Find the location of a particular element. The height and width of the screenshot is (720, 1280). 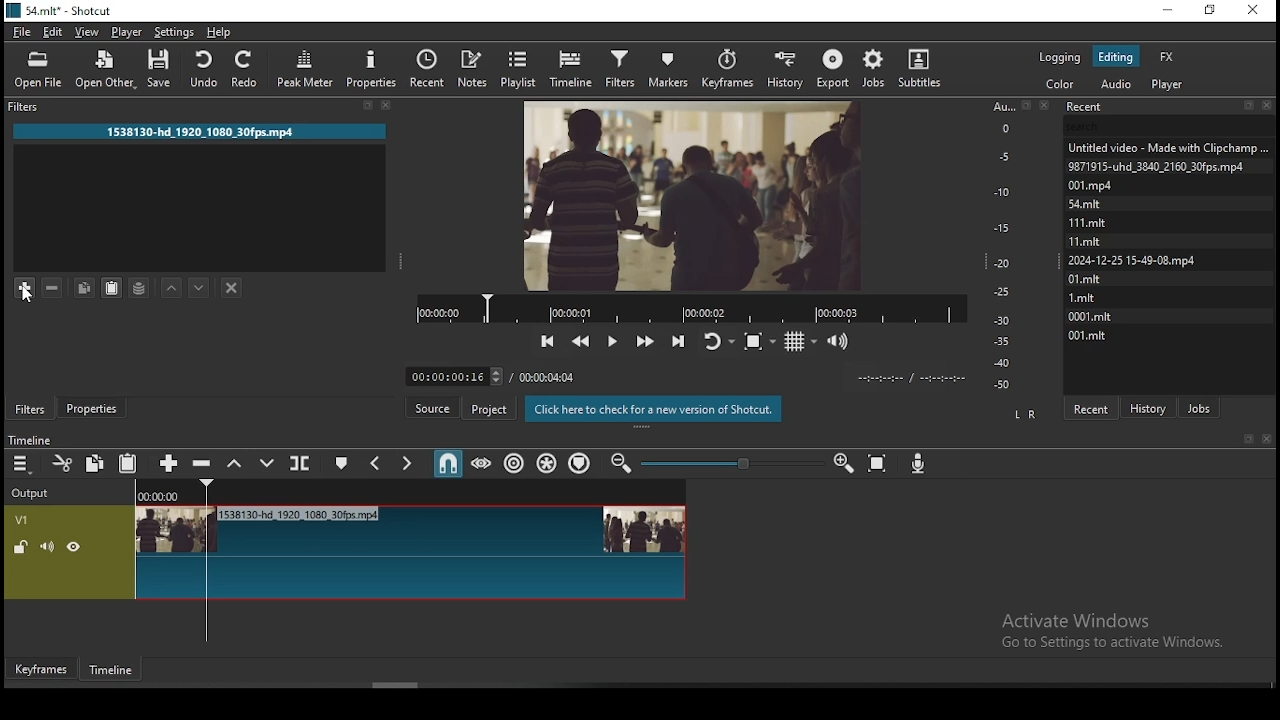

deselect filter is located at coordinates (232, 288).